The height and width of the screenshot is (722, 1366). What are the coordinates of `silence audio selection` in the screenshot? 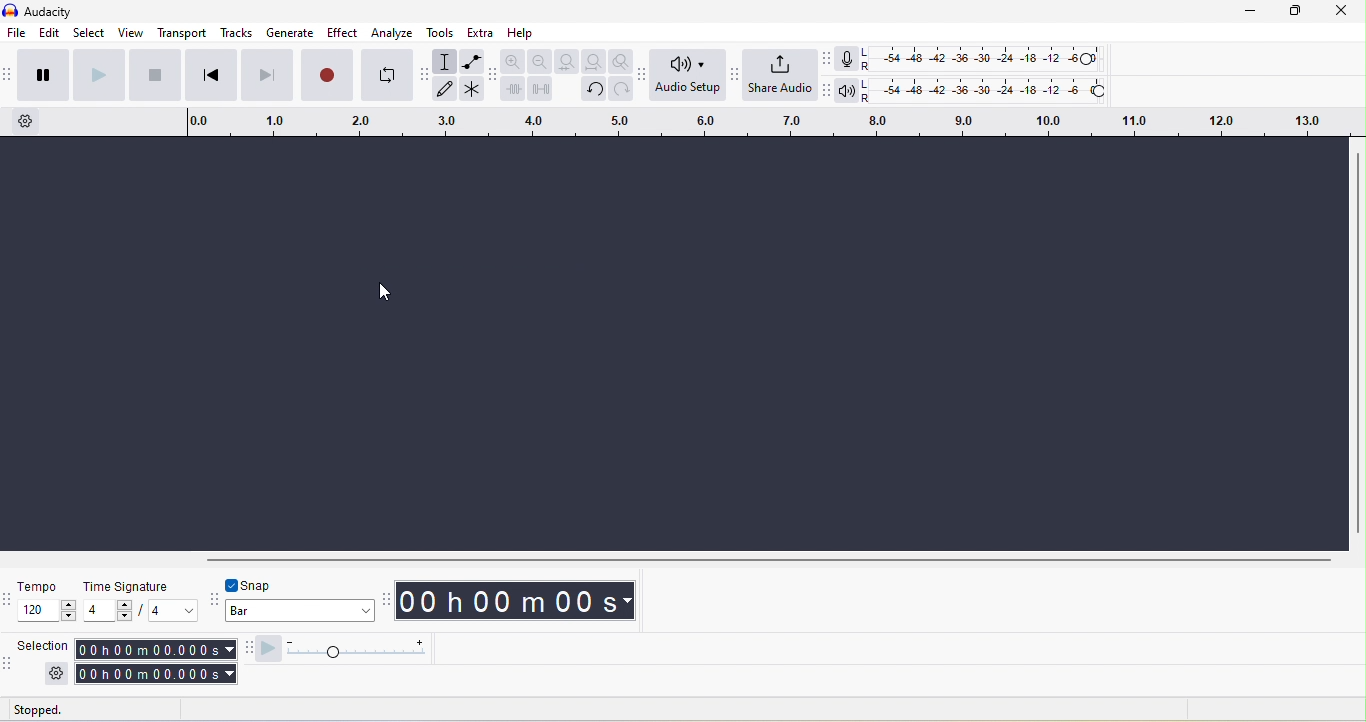 It's located at (540, 89).